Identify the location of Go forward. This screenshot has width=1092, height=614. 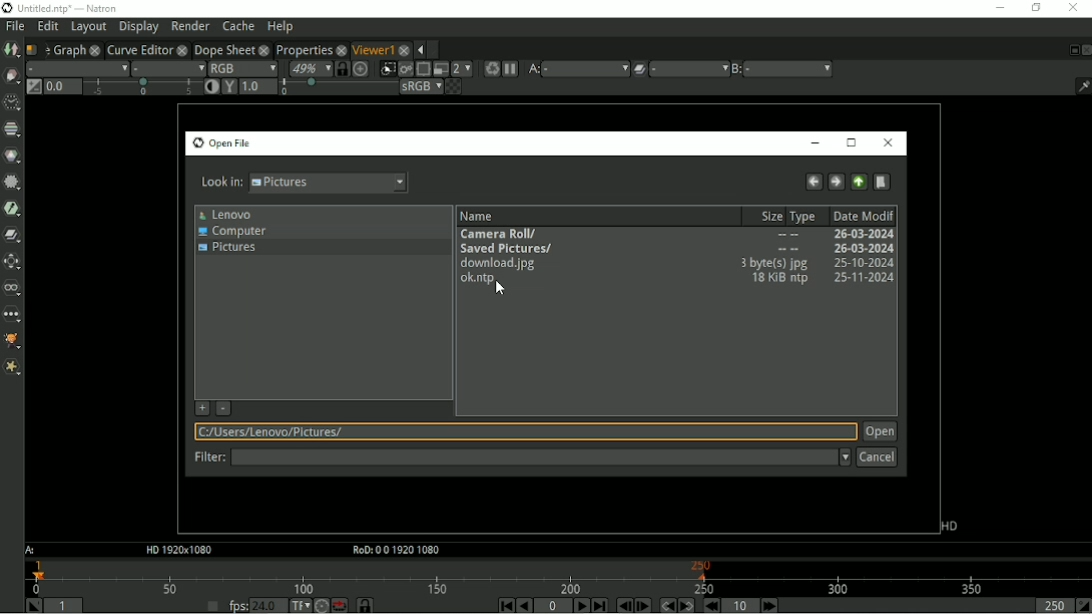
(836, 182).